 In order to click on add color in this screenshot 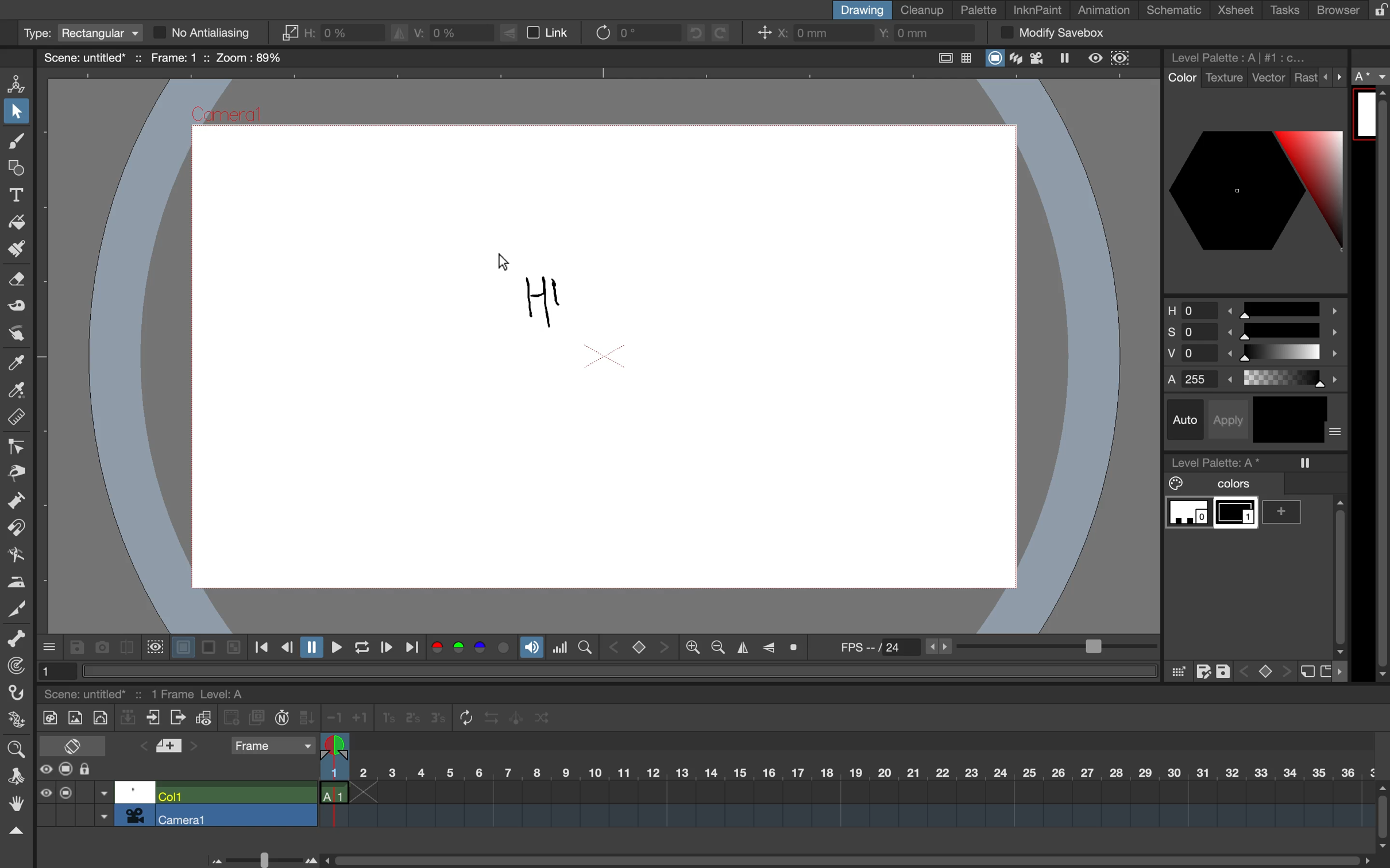, I will do `click(1286, 512)`.